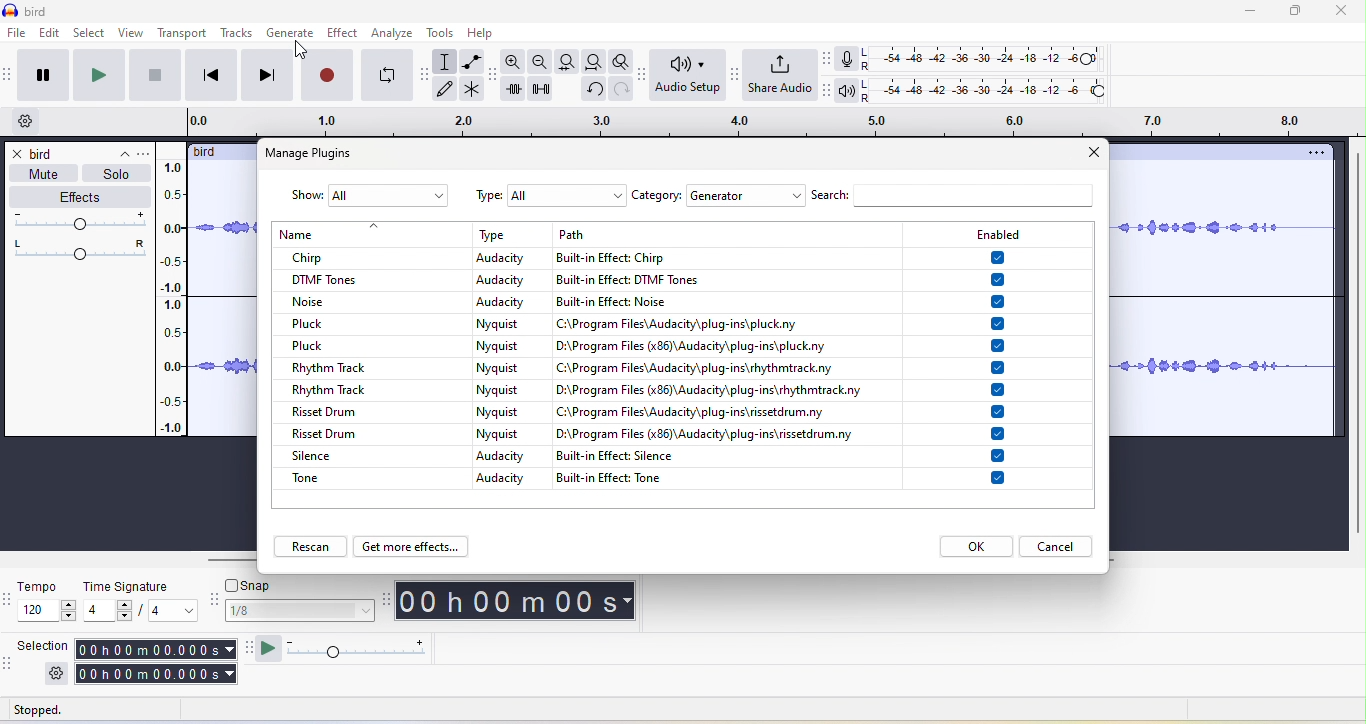 The image size is (1366, 724). What do you see at coordinates (18, 32) in the screenshot?
I see `file ` at bounding box center [18, 32].